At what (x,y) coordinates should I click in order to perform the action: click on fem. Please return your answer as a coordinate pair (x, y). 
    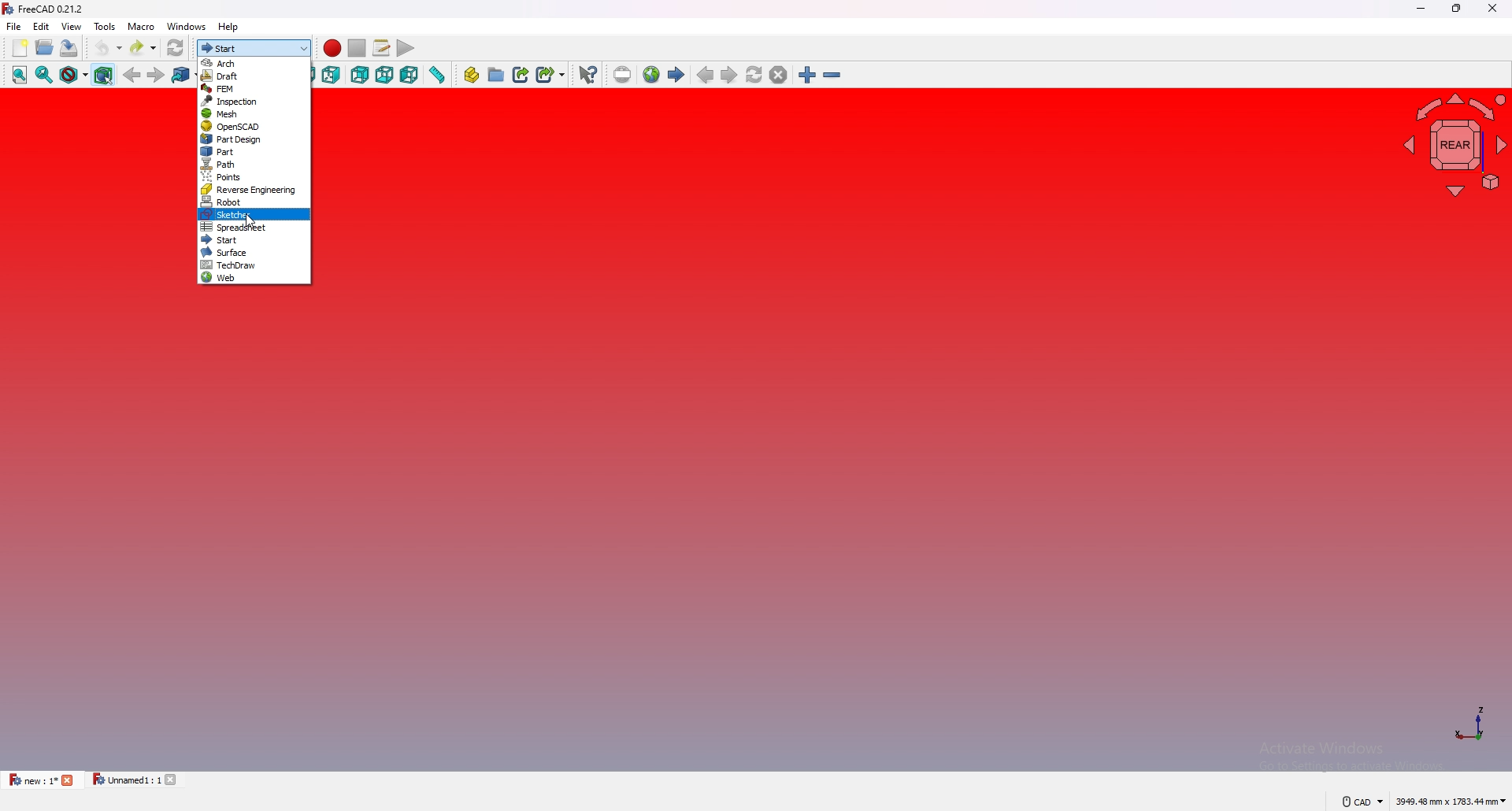
    Looking at the image, I should click on (254, 88).